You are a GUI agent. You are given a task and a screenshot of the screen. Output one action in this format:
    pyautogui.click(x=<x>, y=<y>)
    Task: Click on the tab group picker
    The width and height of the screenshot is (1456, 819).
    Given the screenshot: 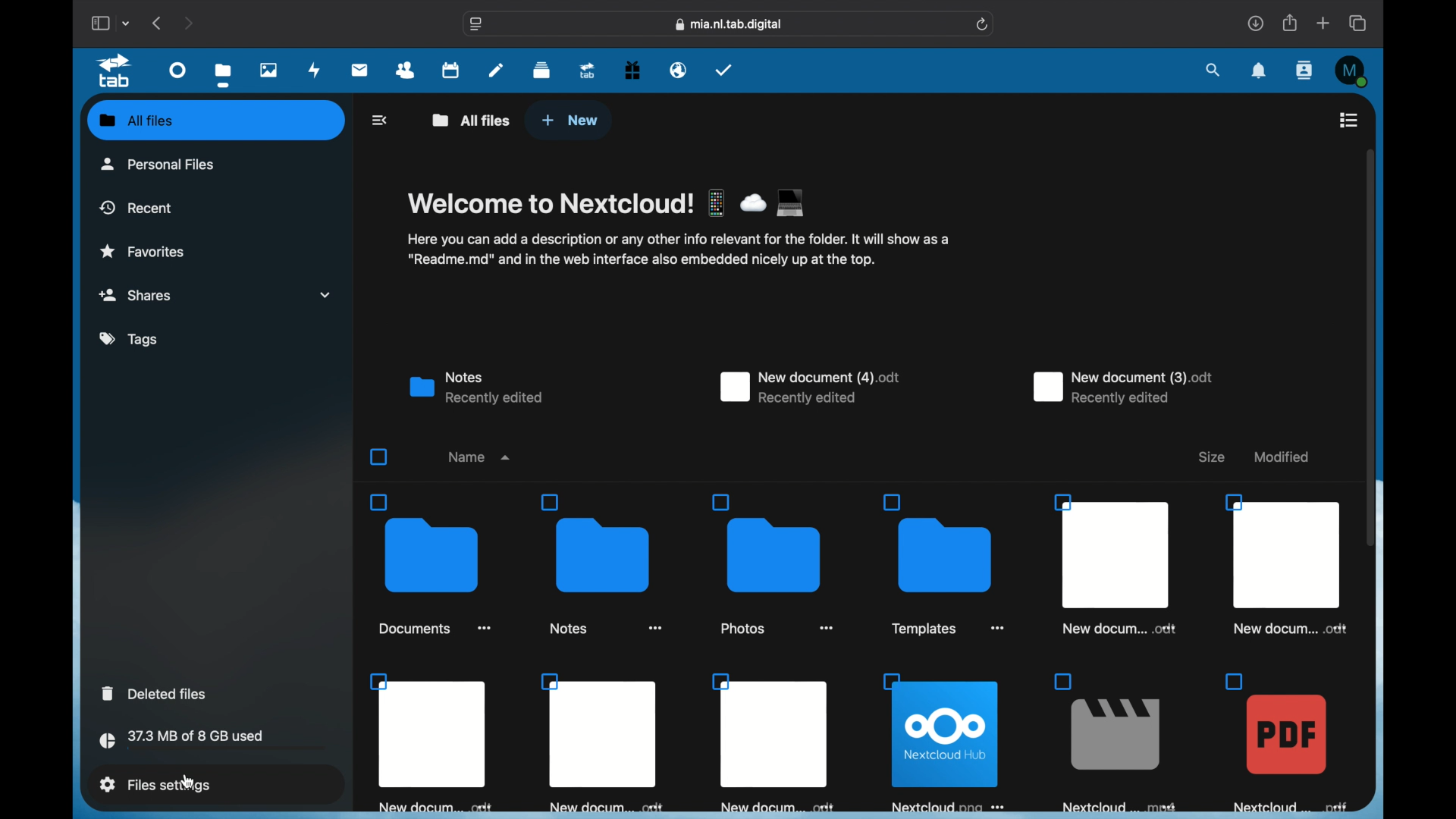 What is the action you would take?
    pyautogui.click(x=127, y=23)
    